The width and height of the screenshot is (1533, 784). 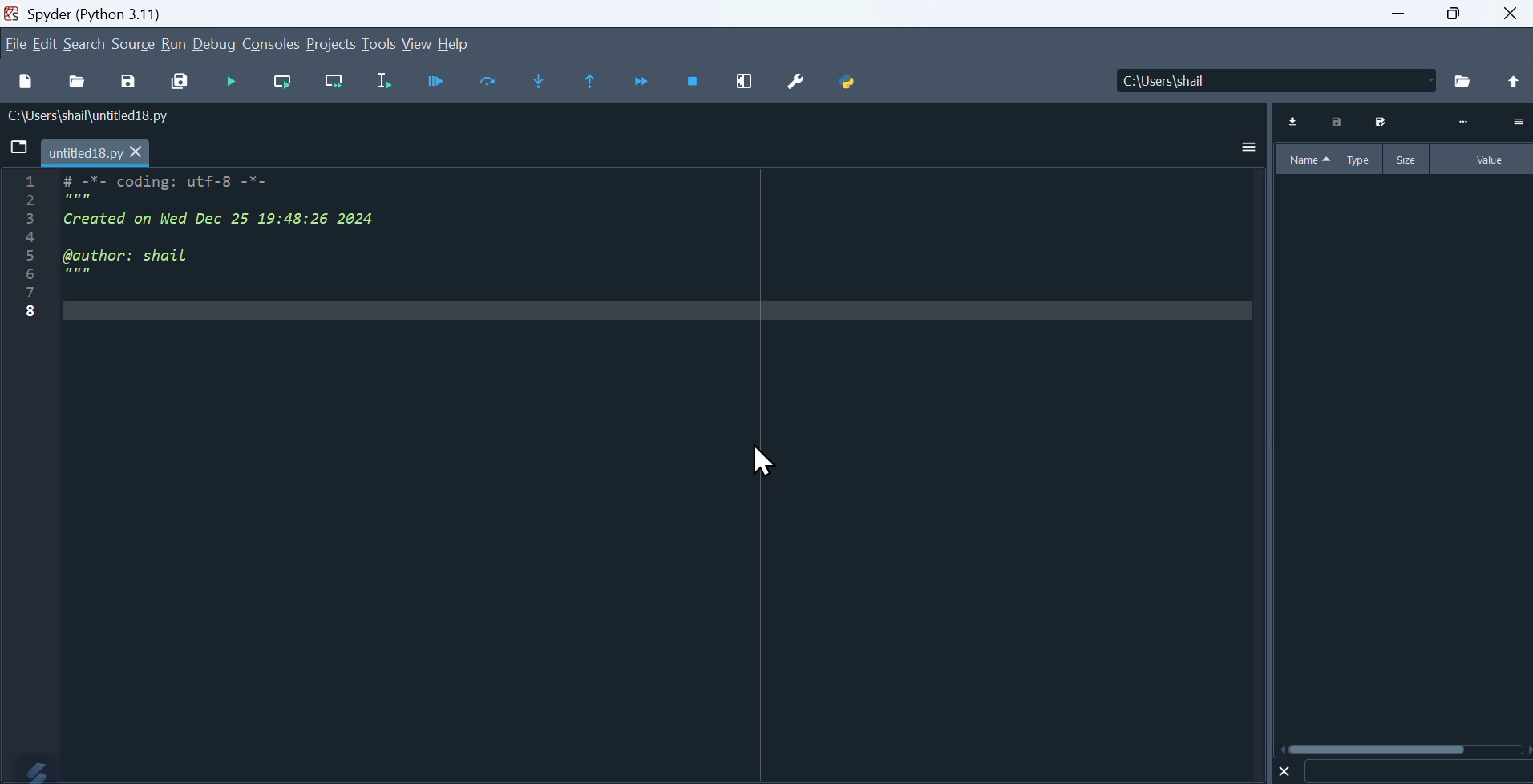 What do you see at coordinates (487, 81) in the screenshot?
I see `Replace text` at bounding box center [487, 81].